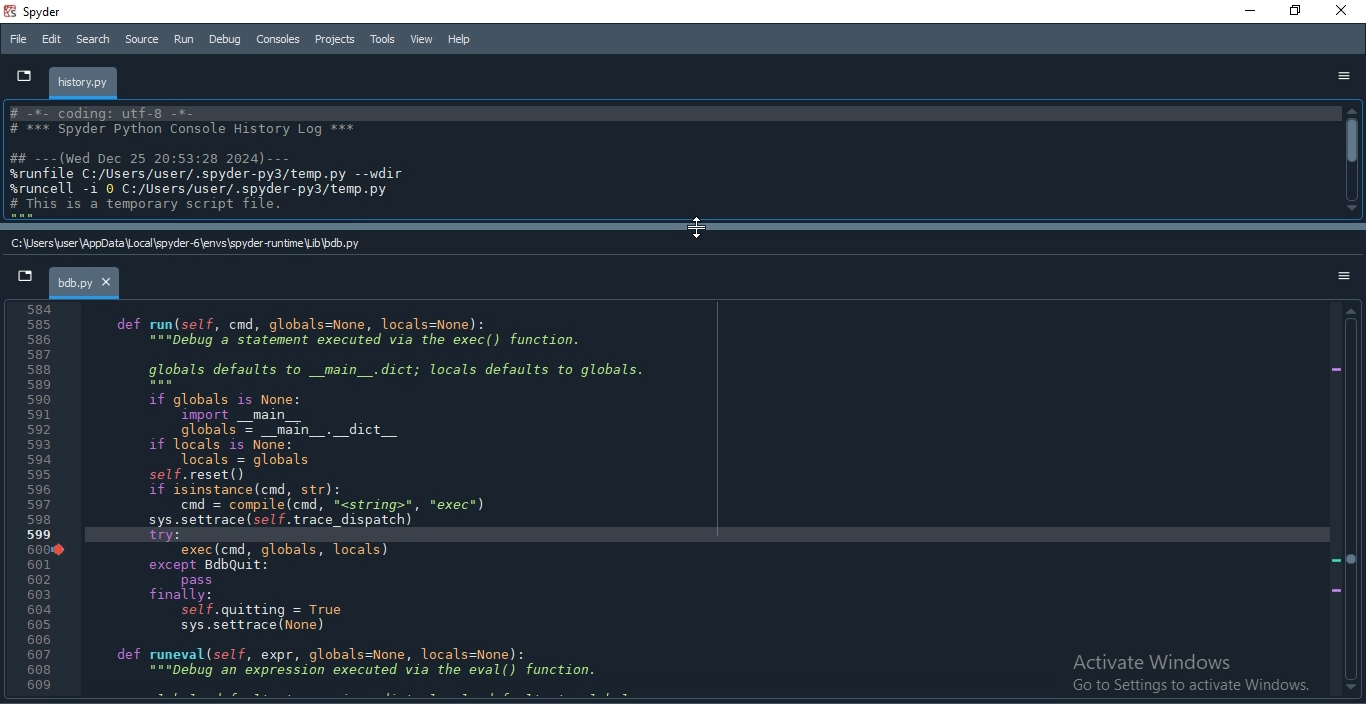 This screenshot has width=1366, height=704. What do you see at coordinates (26, 280) in the screenshot?
I see `dropdown` at bounding box center [26, 280].